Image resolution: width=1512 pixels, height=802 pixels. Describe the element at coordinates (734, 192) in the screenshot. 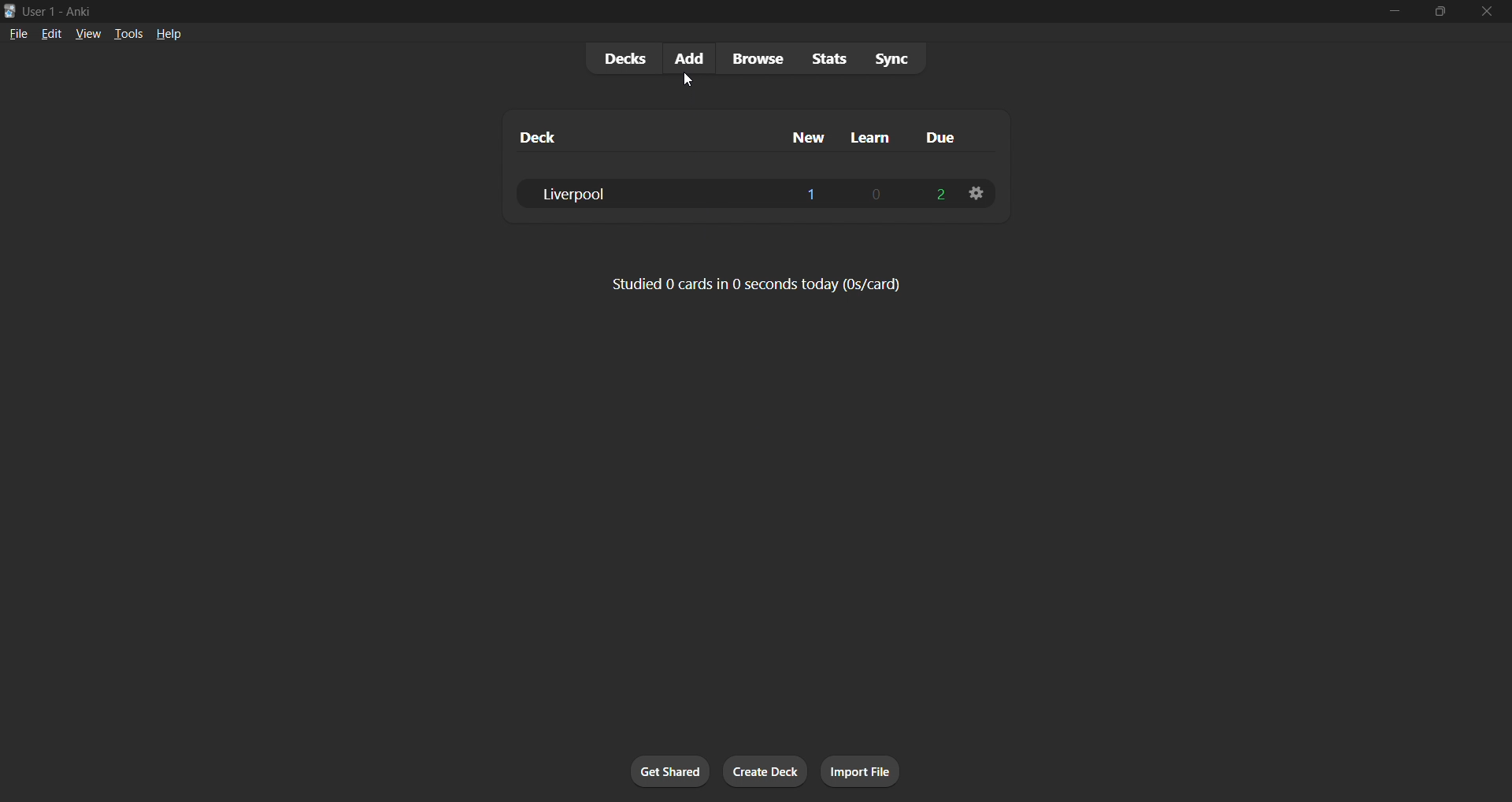

I see `liverpool: 1, 0, 2` at that location.